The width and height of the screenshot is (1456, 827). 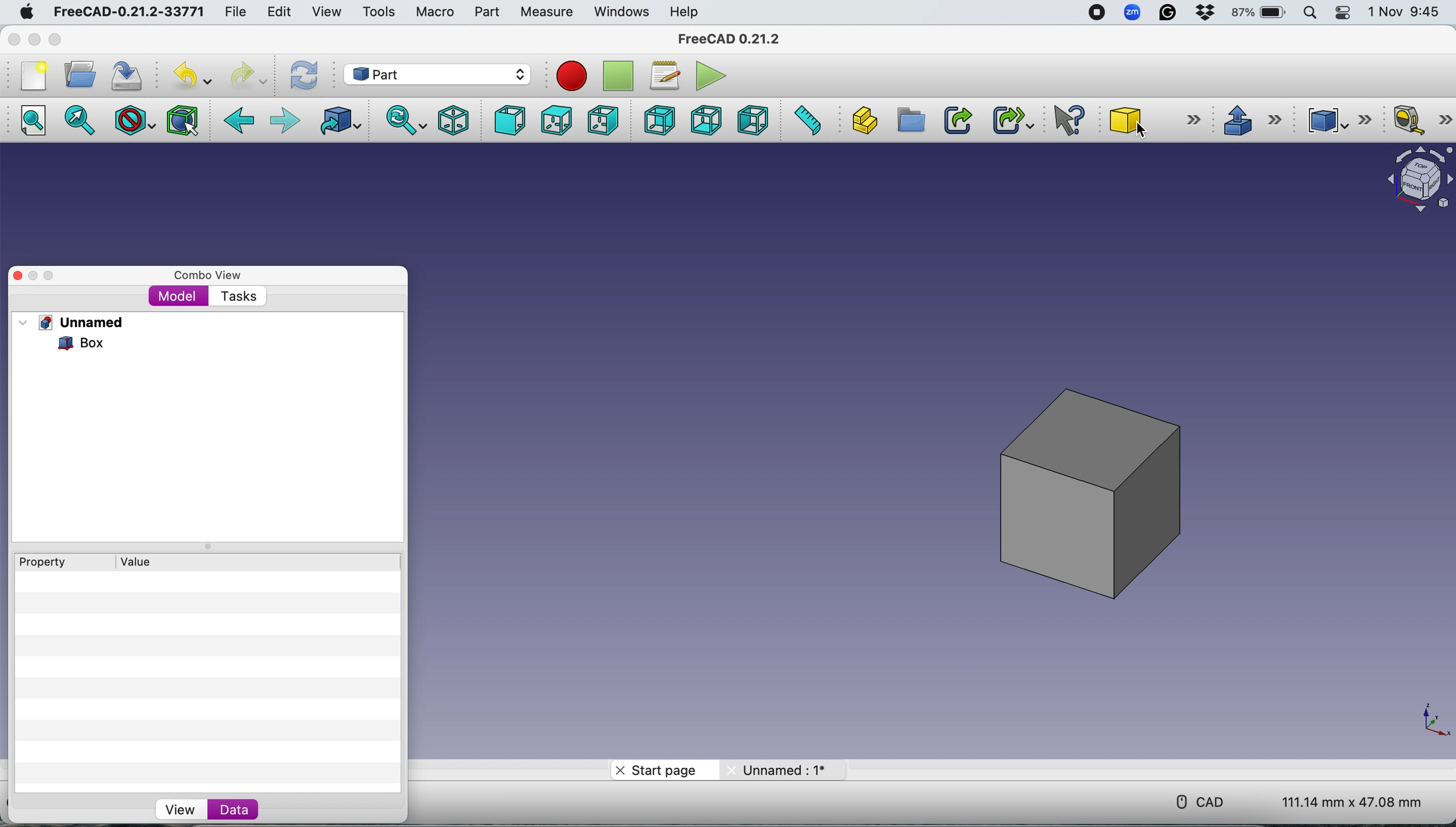 I want to click on Minimise, so click(x=34, y=276).